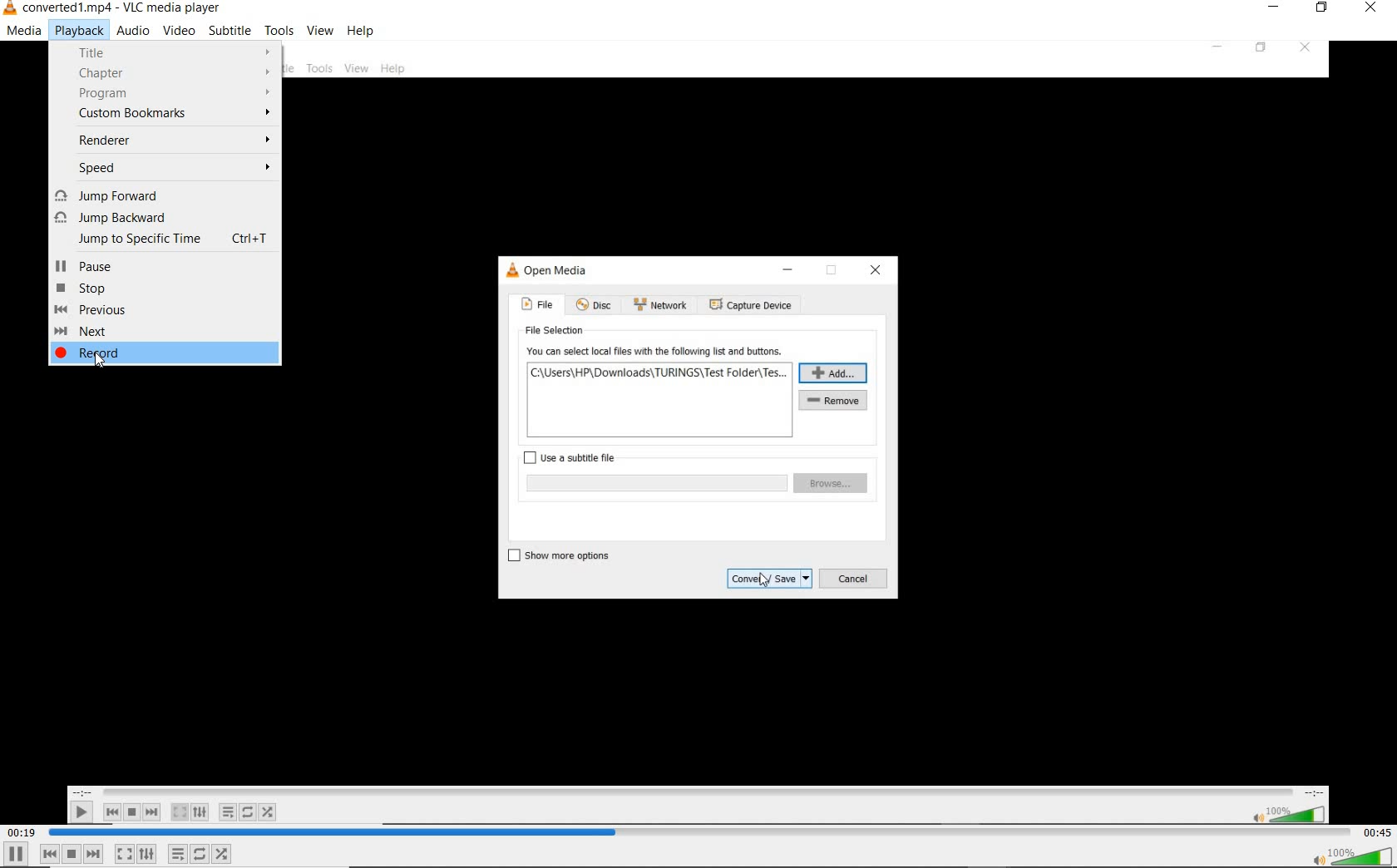  Describe the element at coordinates (50, 854) in the screenshot. I see `previous media` at that location.